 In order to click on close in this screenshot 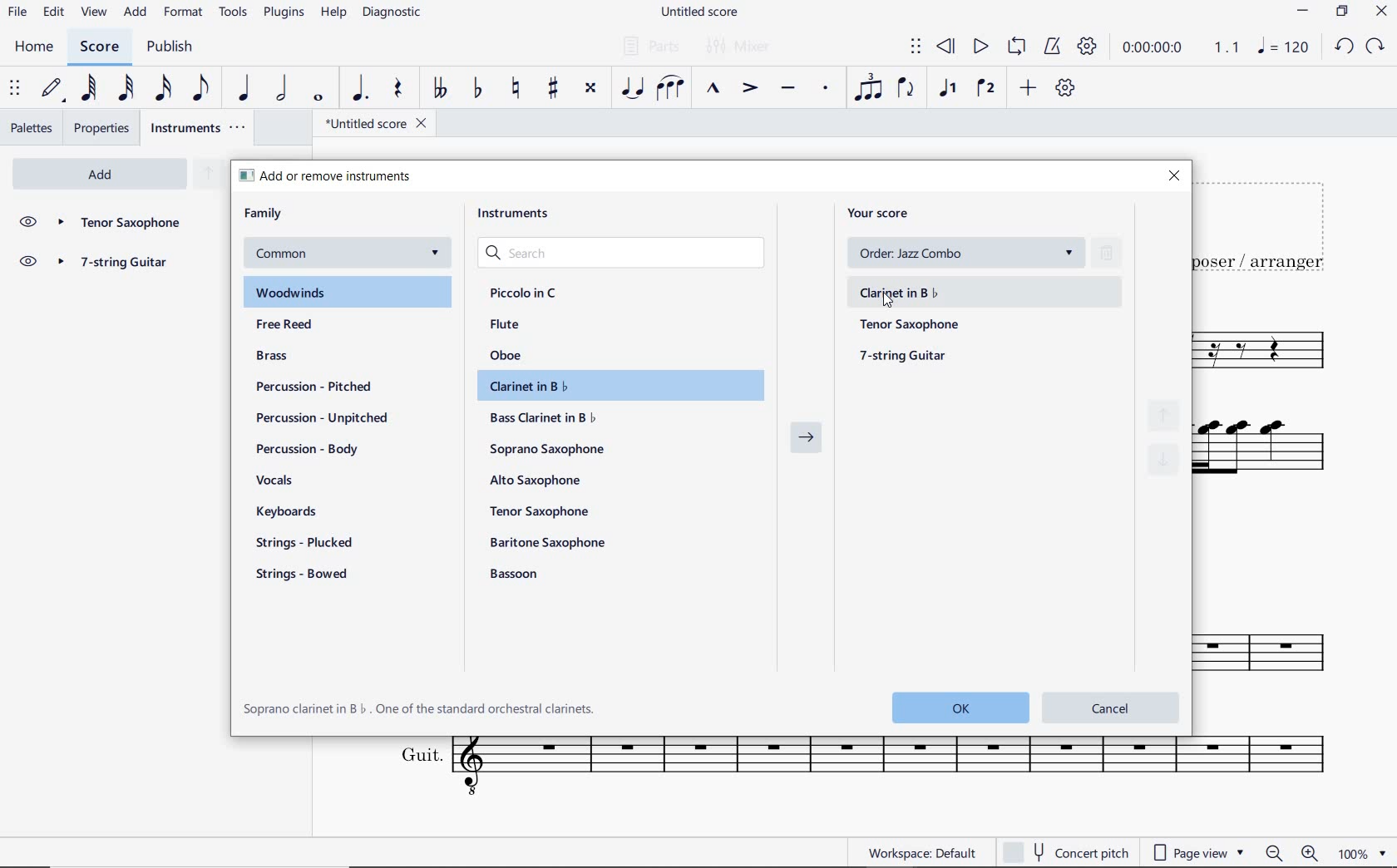, I will do `click(1173, 177)`.